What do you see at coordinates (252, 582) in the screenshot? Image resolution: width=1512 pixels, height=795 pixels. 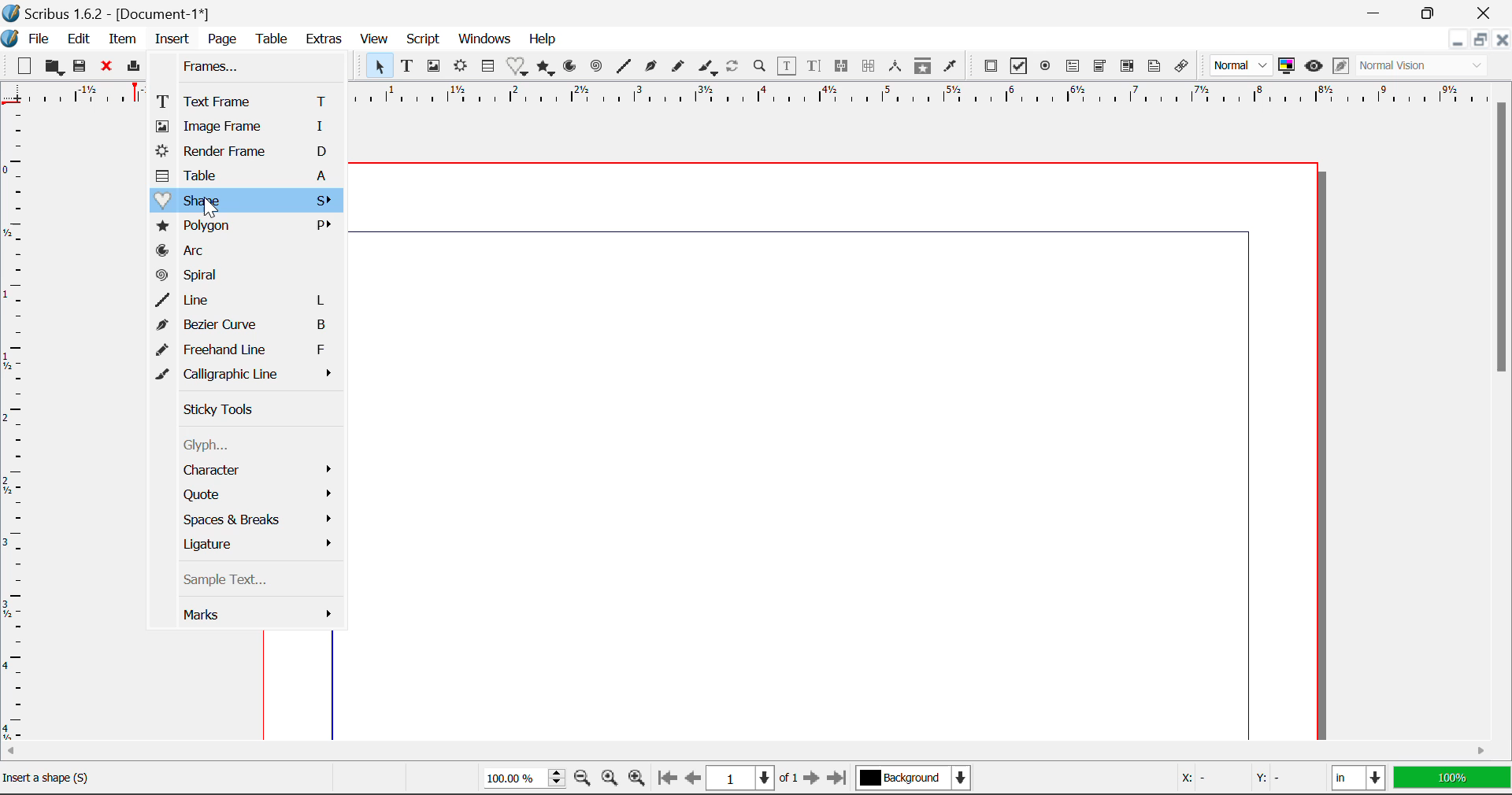 I see `Sample Text` at bounding box center [252, 582].